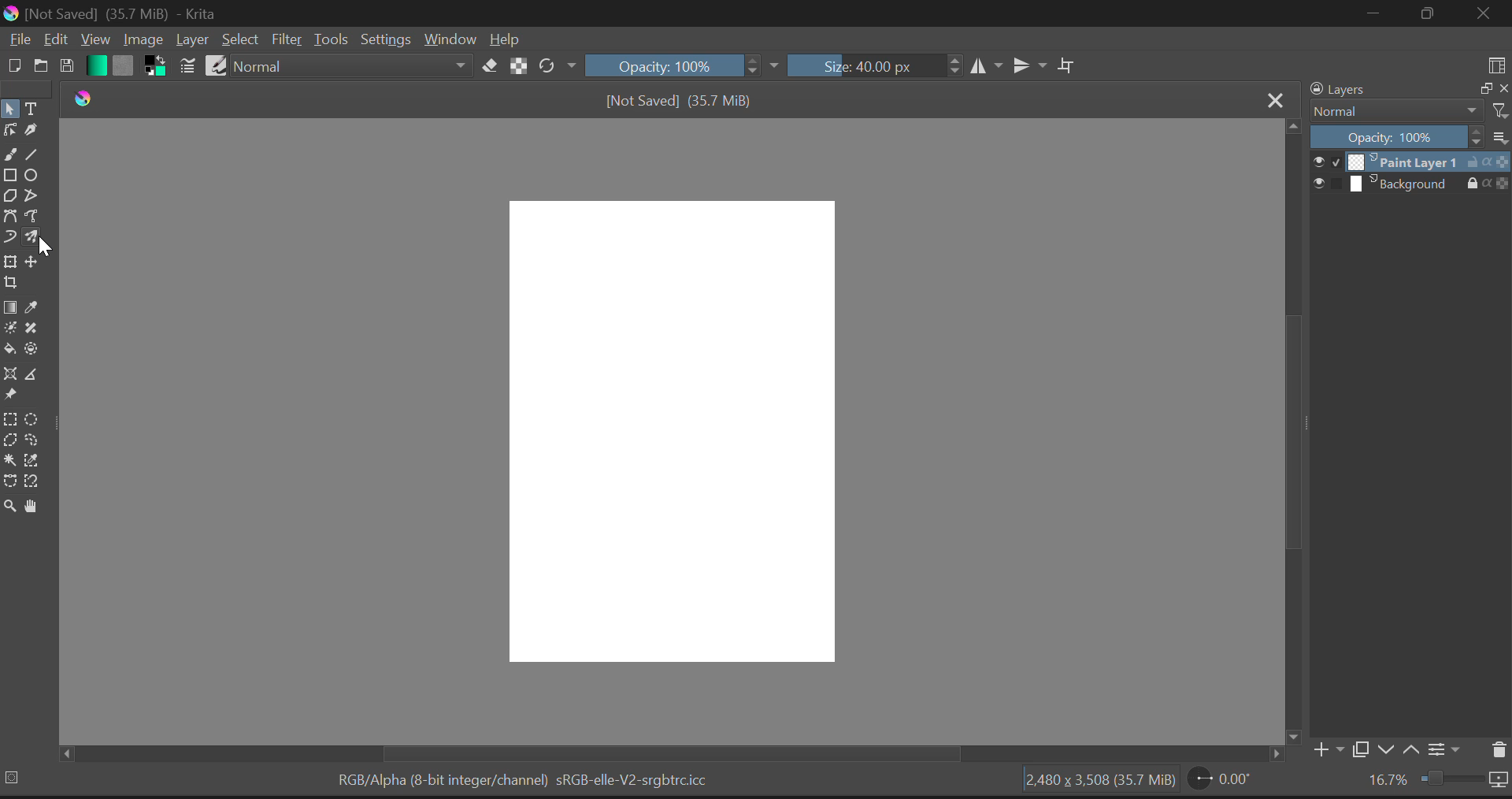  I want to click on Bezier Curve Selection, so click(9, 482).